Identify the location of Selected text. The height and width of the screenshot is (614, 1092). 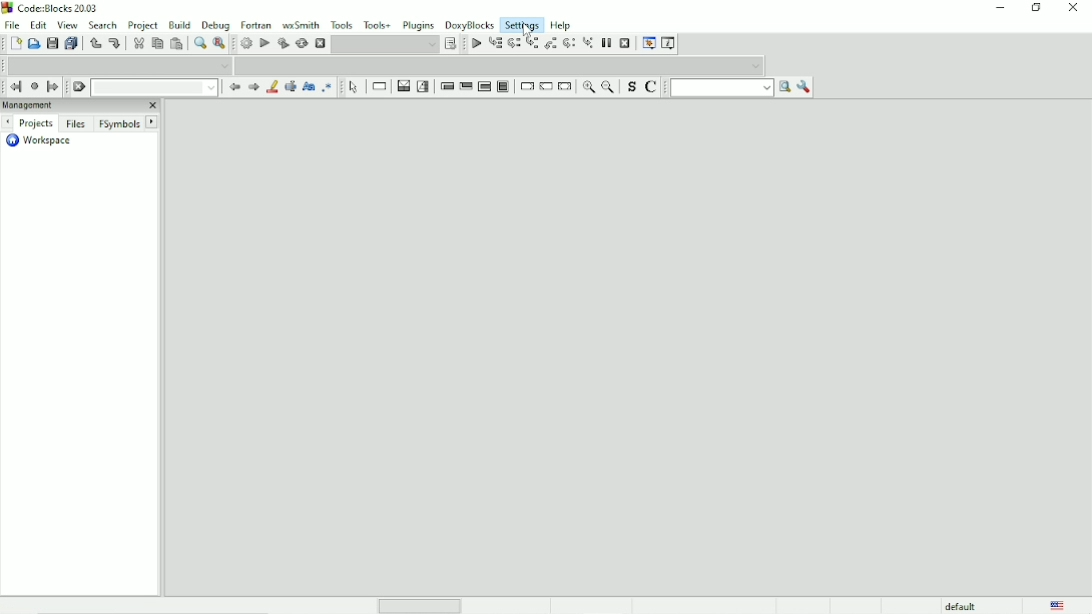
(291, 87).